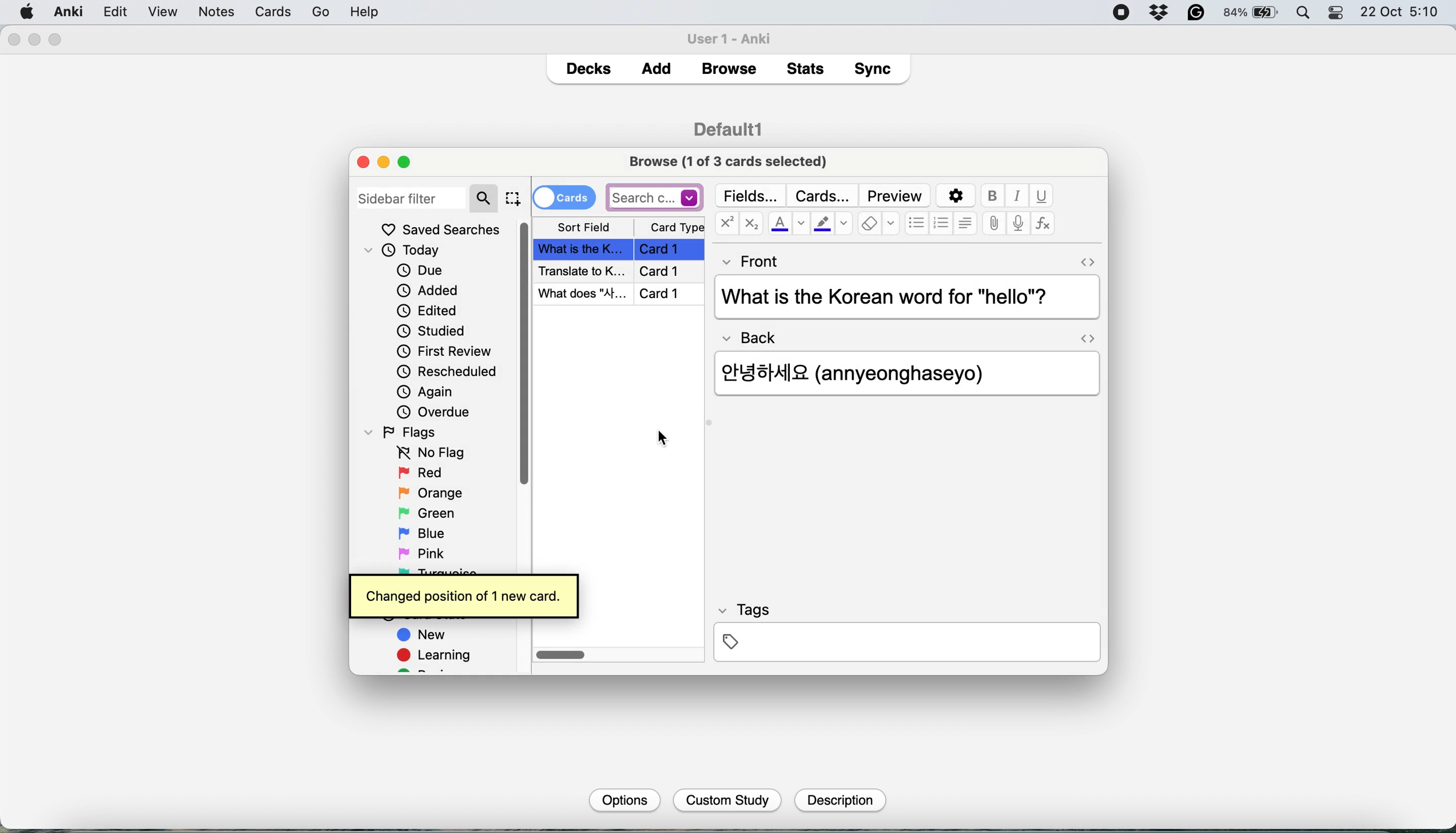 The height and width of the screenshot is (833, 1456). I want to click on 안녕하세요 (annyeonghaseyo), so click(869, 371).